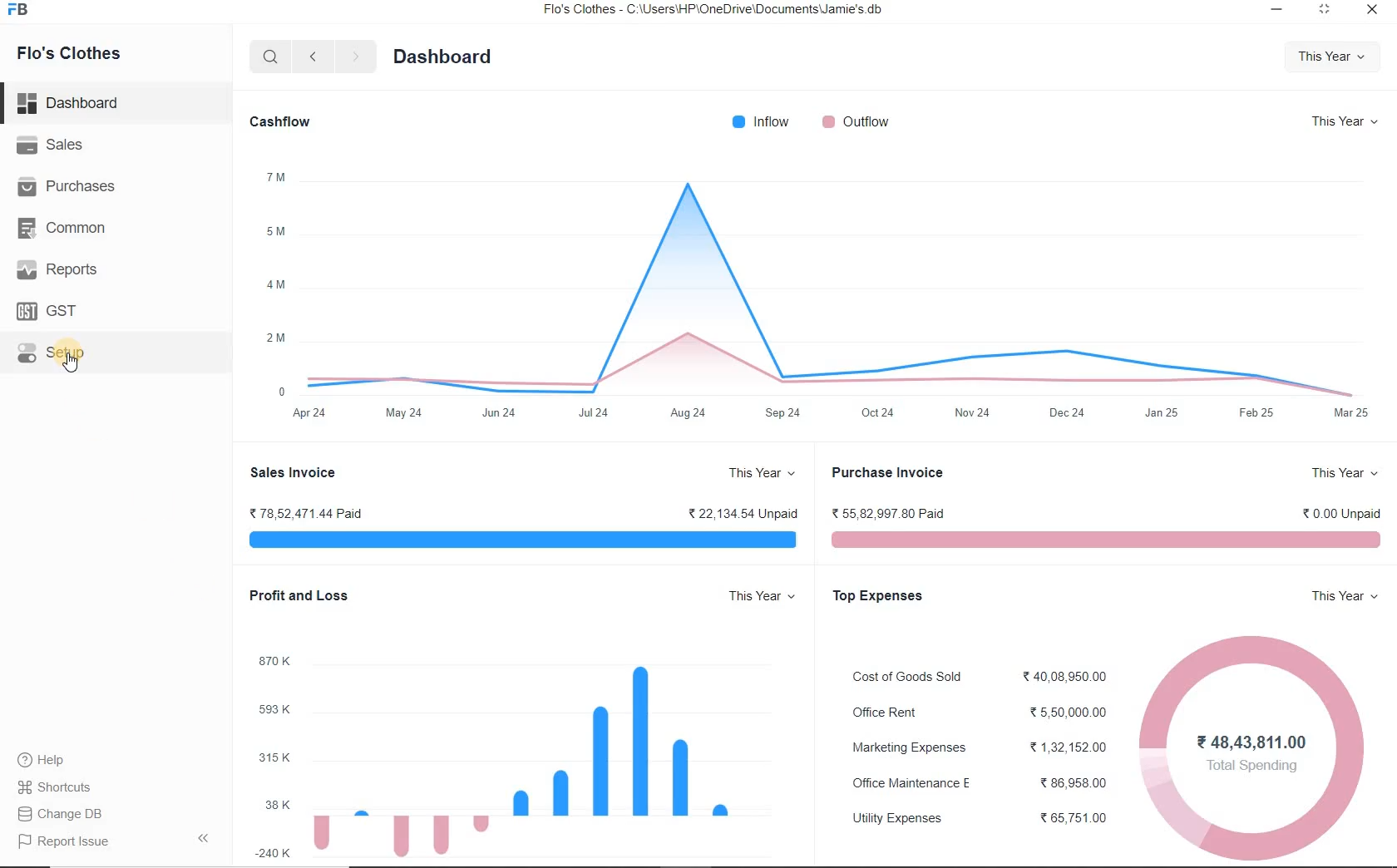 The image size is (1397, 868). Describe the element at coordinates (970, 414) in the screenshot. I see `Nov24` at that location.